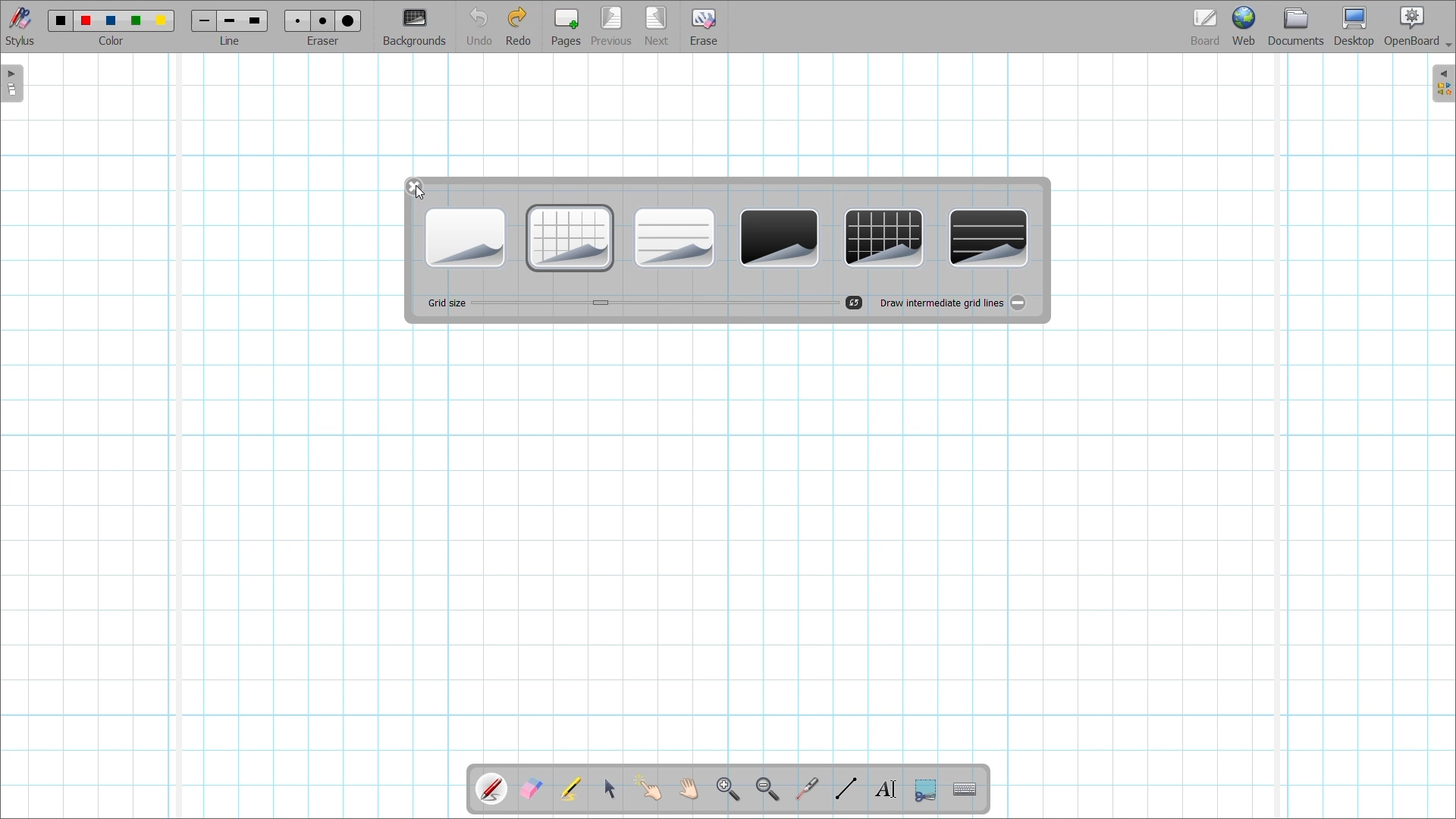 This screenshot has width=1456, height=819. What do you see at coordinates (926, 790) in the screenshot?
I see `Capture part of the screen` at bounding box center [926, 790].